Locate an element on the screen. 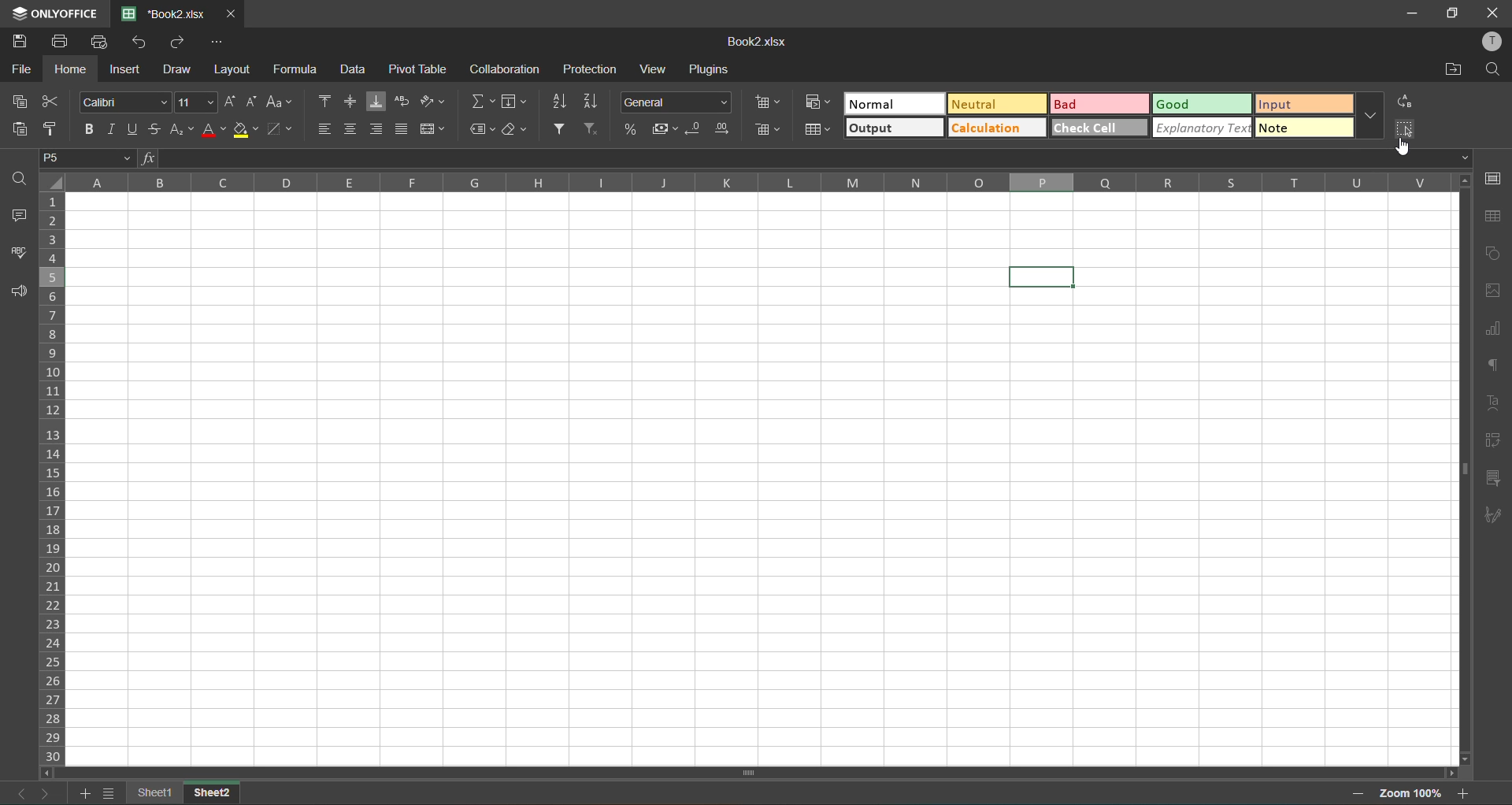  strikethrough is located at coordinates (157, 127).